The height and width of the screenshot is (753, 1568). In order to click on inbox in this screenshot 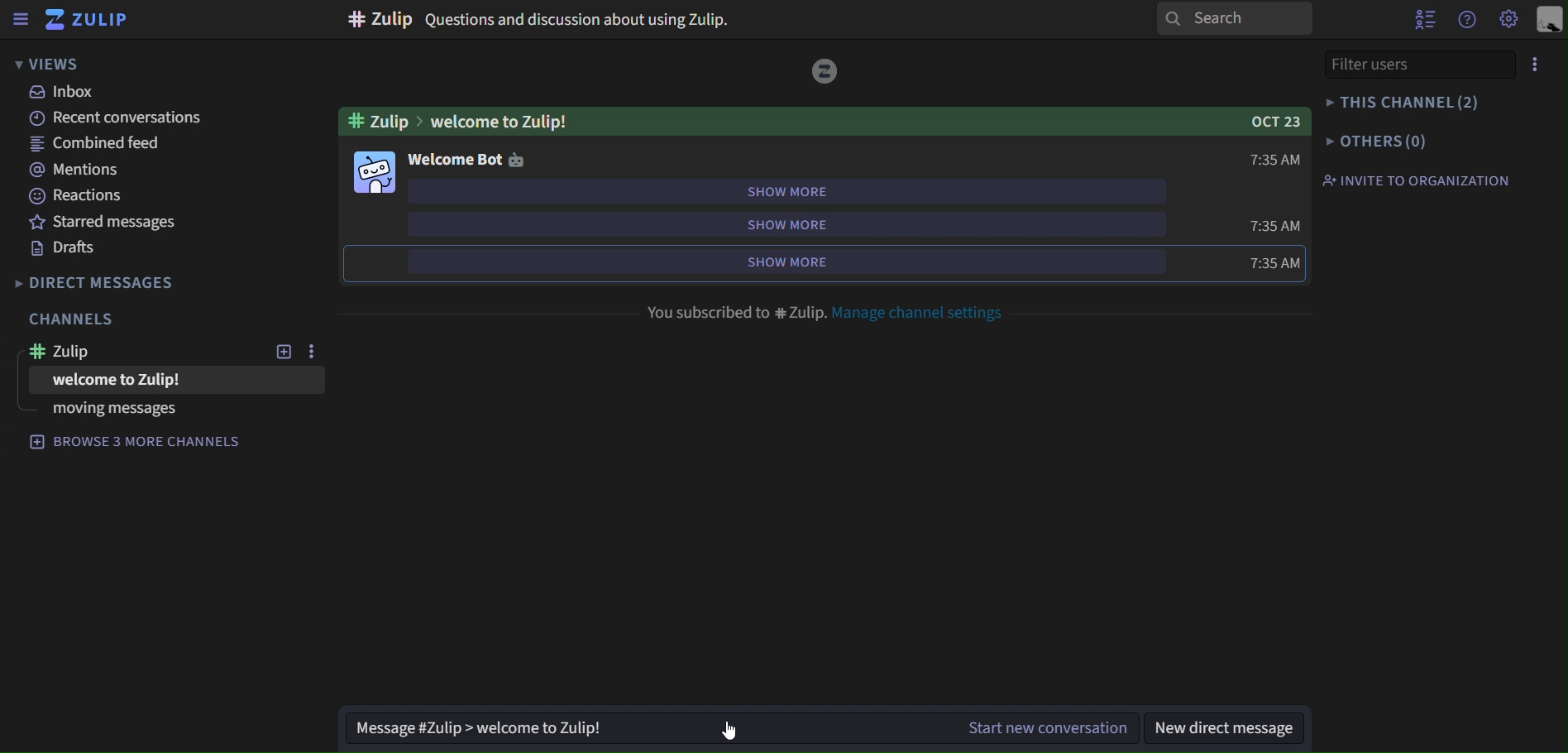, I will do `click(65, 94)`.